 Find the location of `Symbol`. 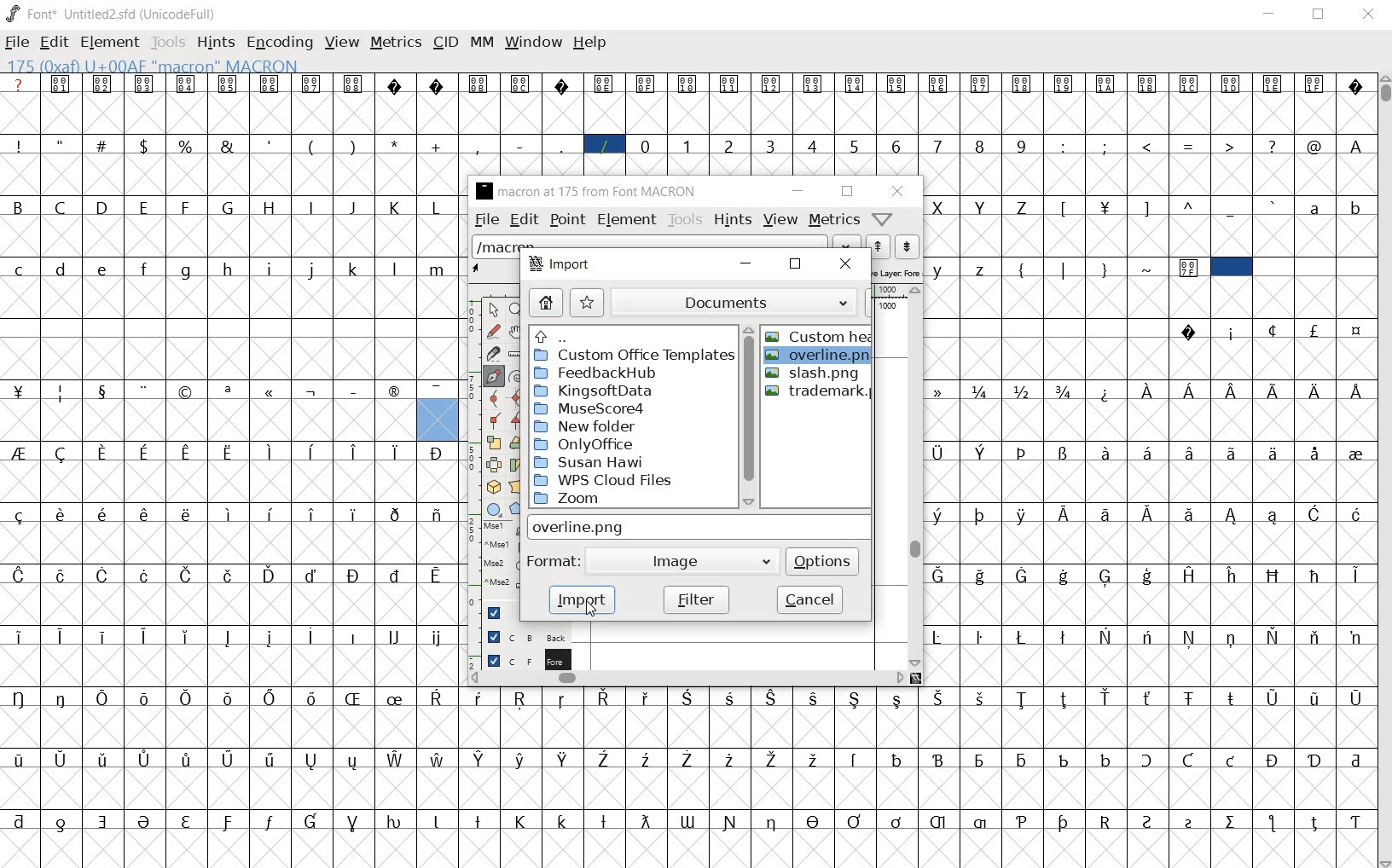

Symbol is located at coordinates (188, 758).